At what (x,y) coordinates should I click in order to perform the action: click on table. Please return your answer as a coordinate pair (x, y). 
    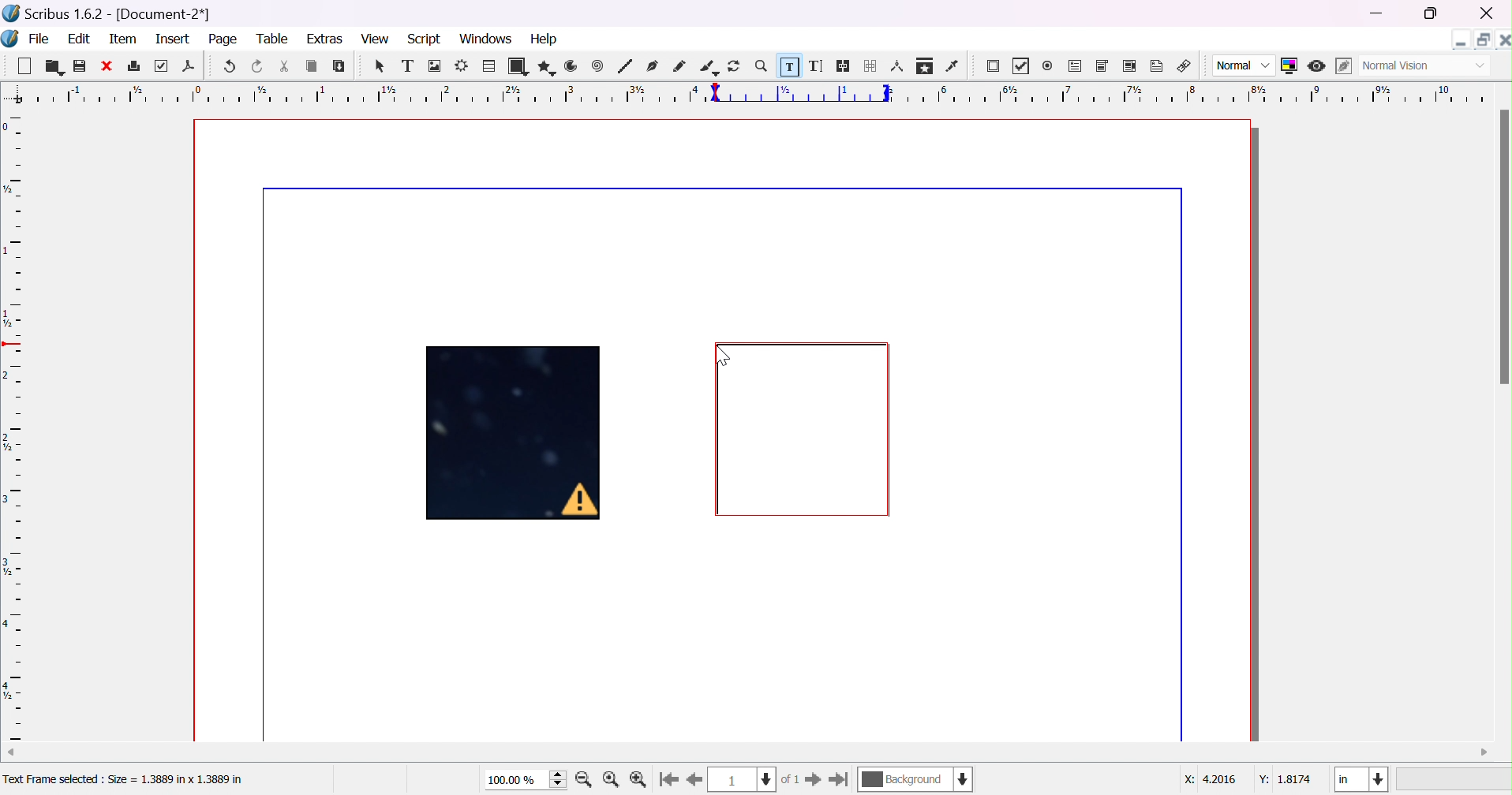
    Looking at the image, I should click on (488, 64).